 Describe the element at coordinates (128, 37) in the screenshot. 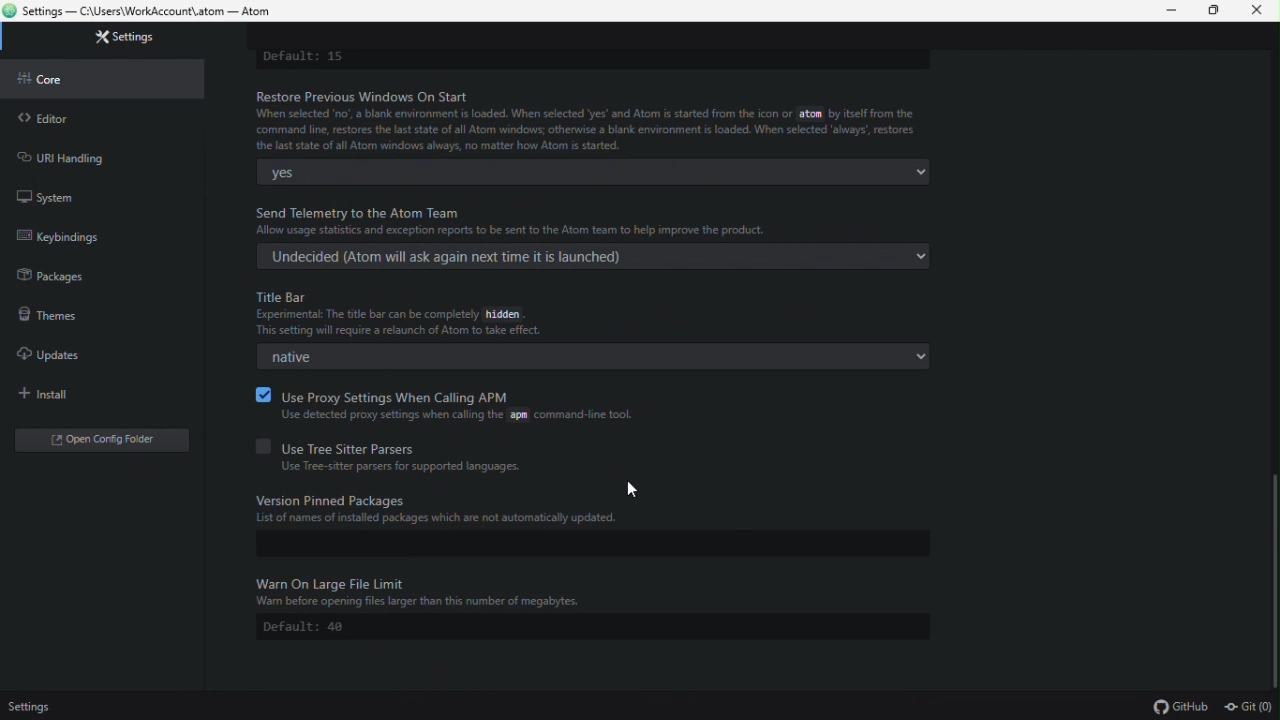

I see `settings` at that location.